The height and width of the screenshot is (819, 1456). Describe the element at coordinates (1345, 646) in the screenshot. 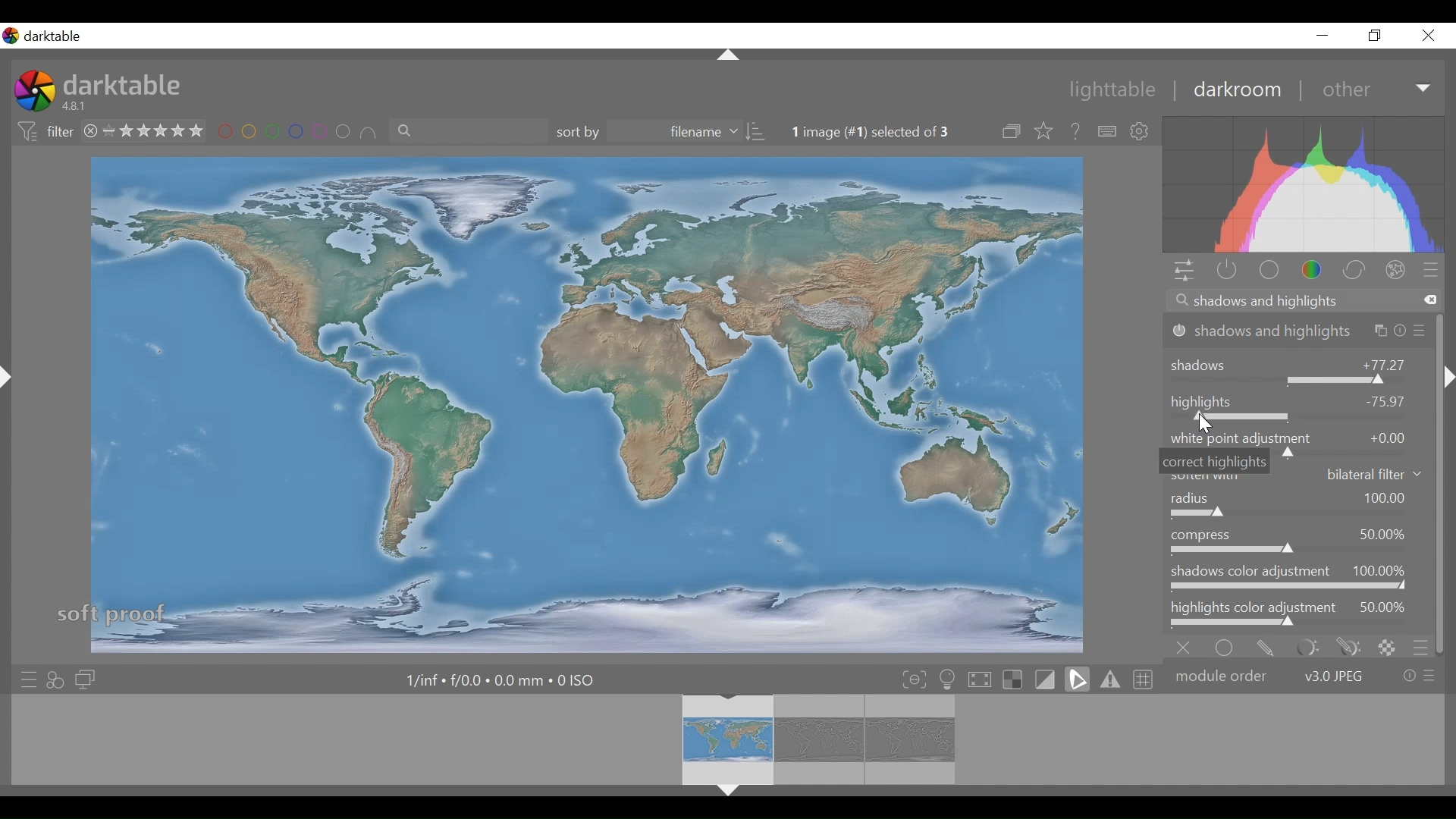

I see `drawn and parametric mask` at that location.